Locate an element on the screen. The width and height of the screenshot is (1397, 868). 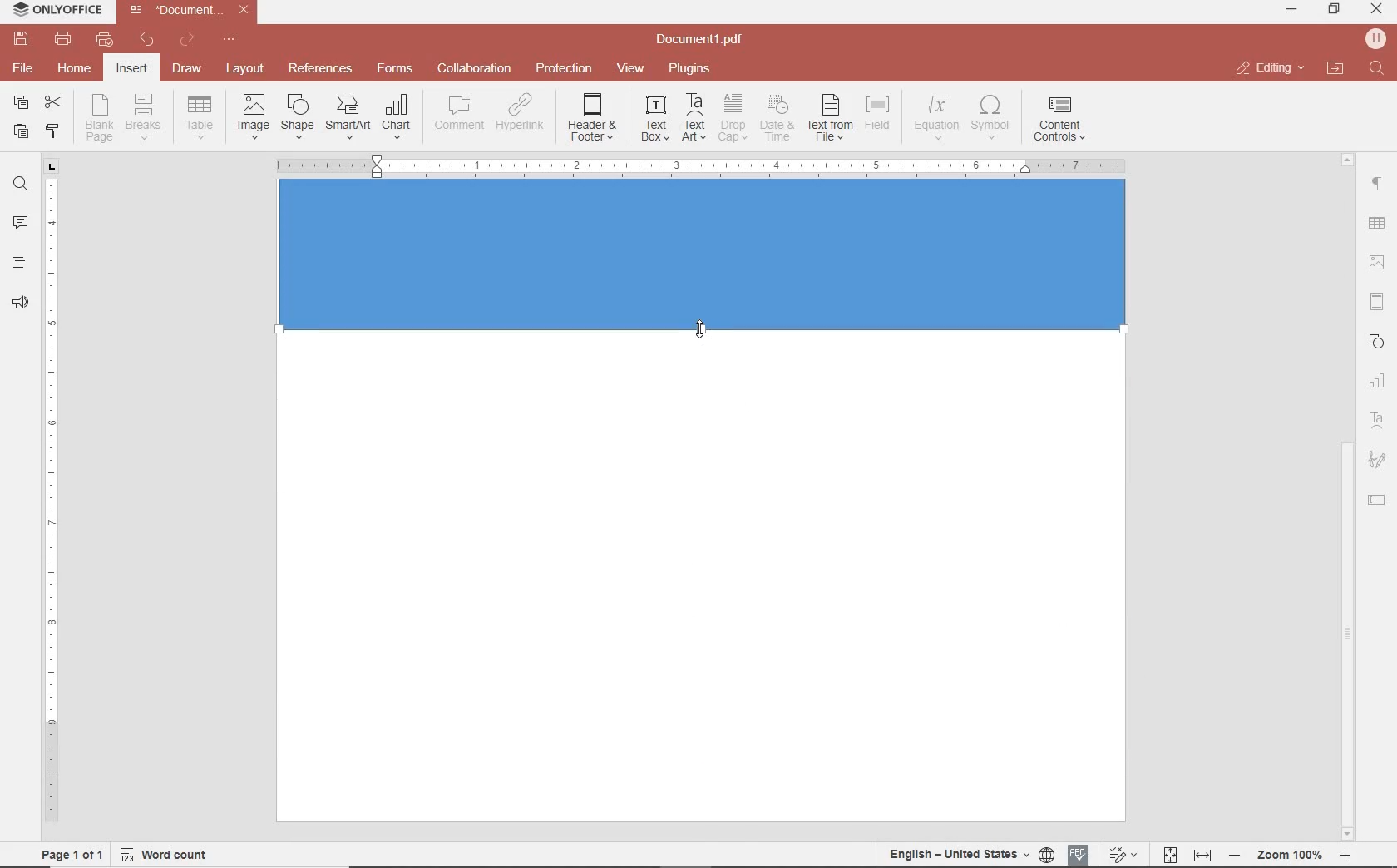
INSERT SHAPE is located at coordinates (296, 116).